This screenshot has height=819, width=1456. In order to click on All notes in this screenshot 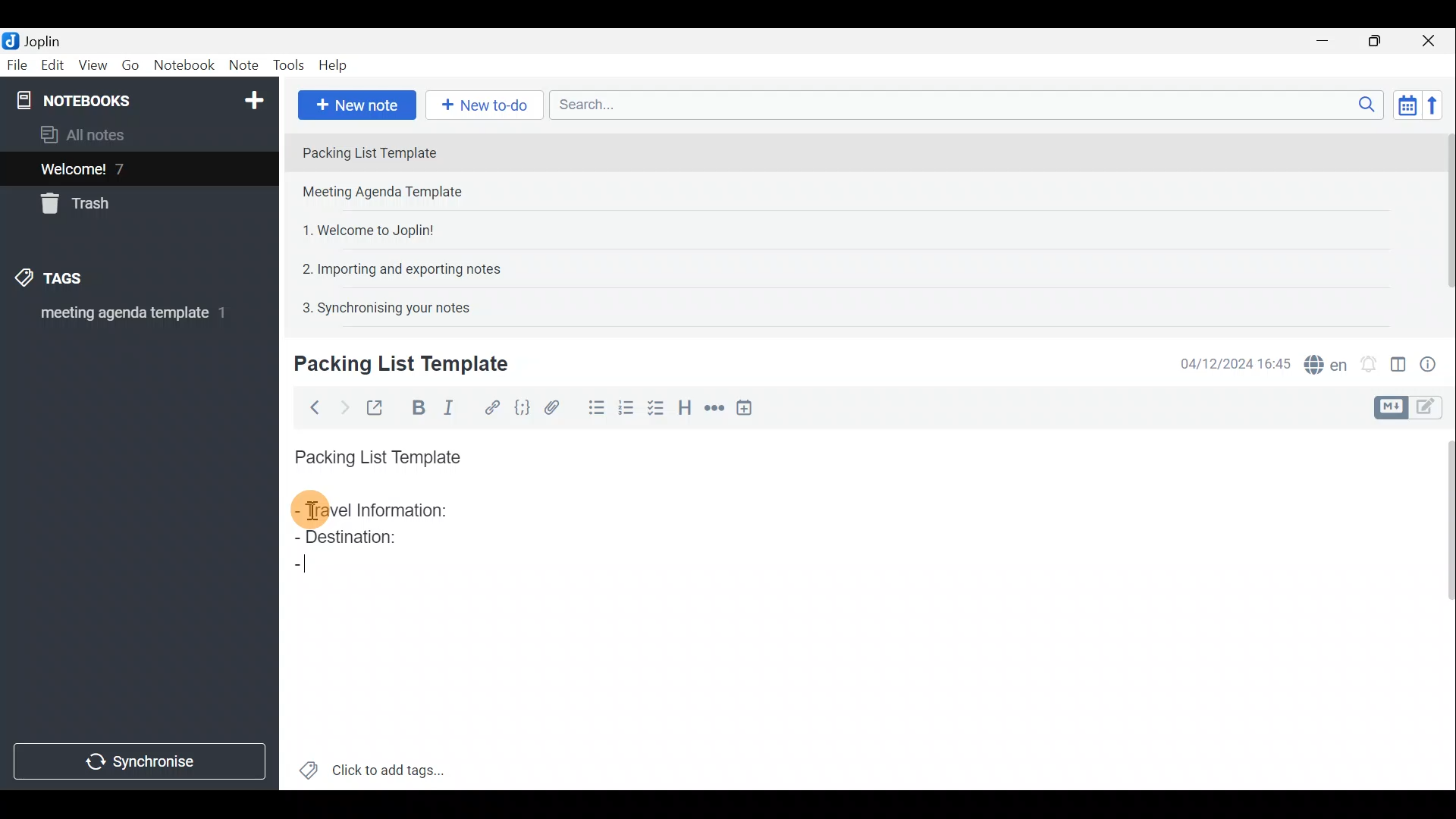, I will do `click(88, 134)`.